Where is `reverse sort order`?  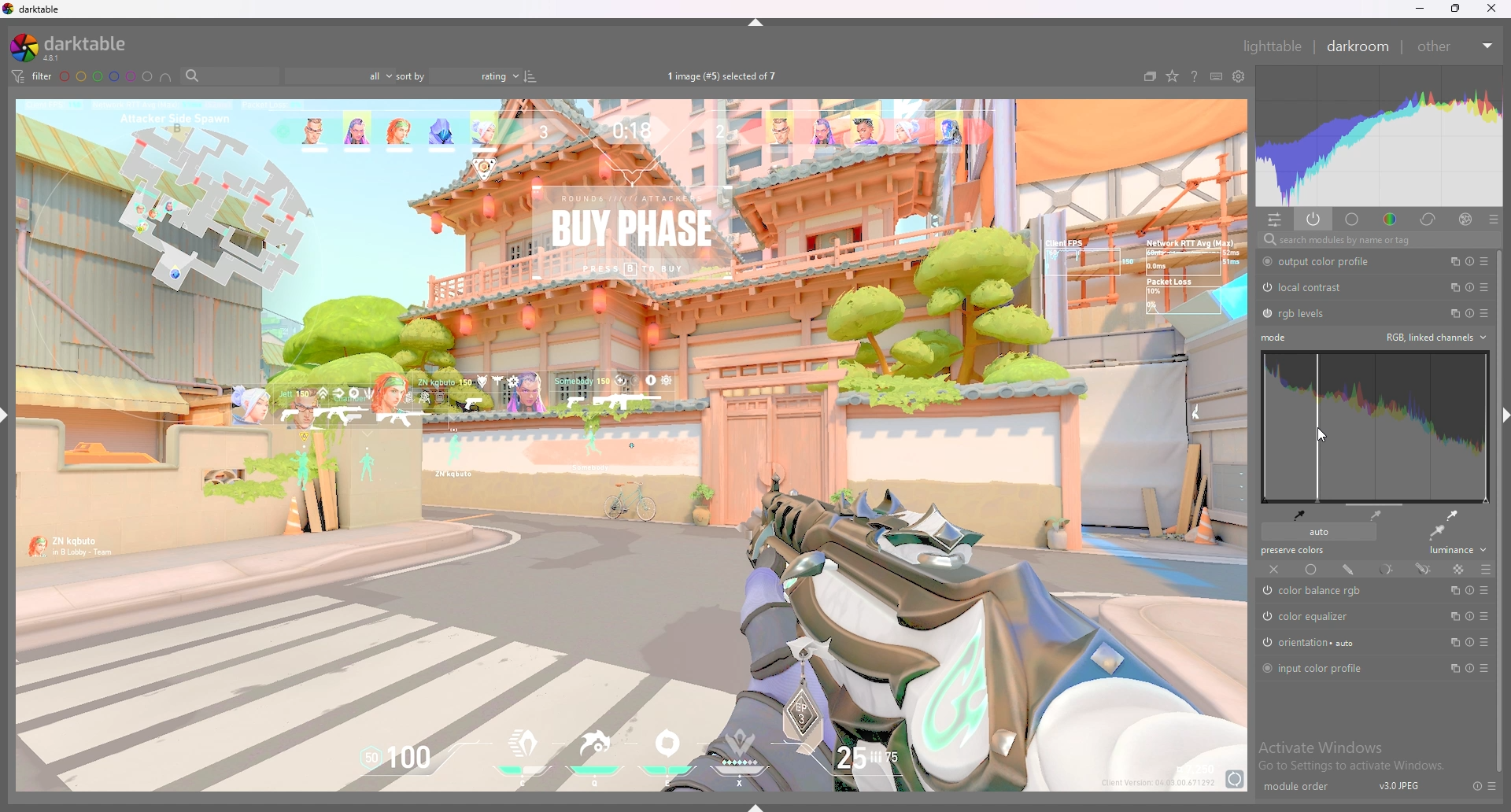 reverse sort order is located at coordinates (530, 76).